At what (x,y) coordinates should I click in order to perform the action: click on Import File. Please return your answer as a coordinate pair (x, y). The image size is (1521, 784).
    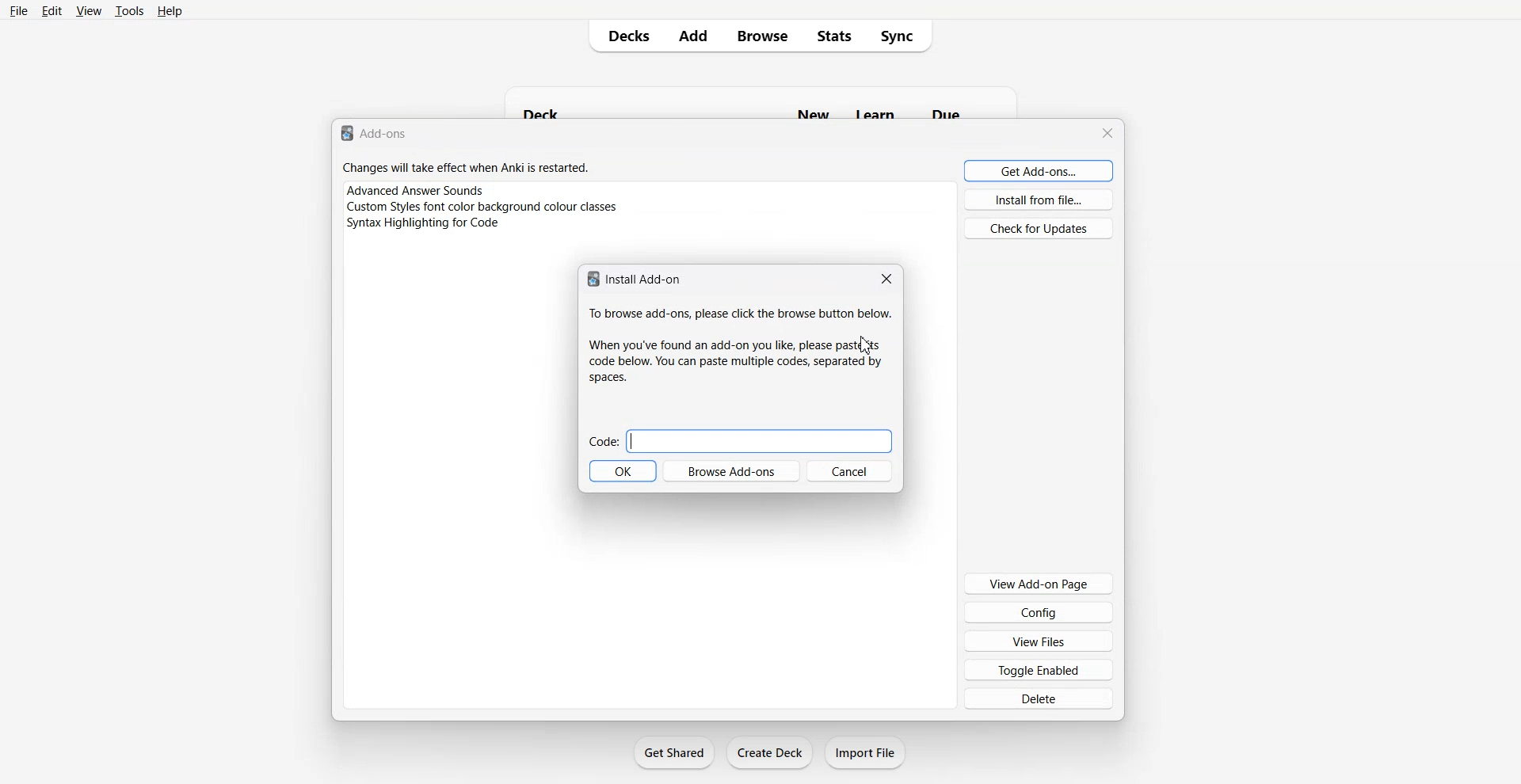
    Looking at the image, I should click on (866, 752).